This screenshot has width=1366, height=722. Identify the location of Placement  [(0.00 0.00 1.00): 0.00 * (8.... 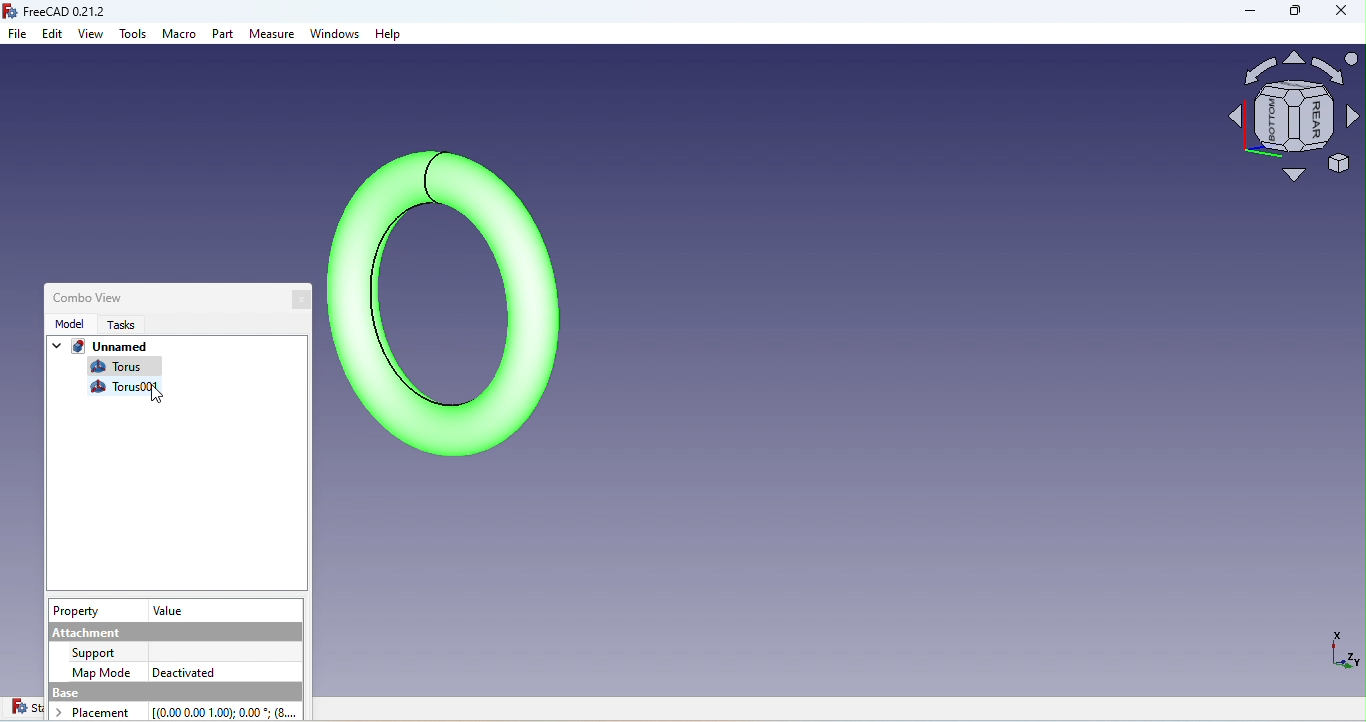
(181, 711).